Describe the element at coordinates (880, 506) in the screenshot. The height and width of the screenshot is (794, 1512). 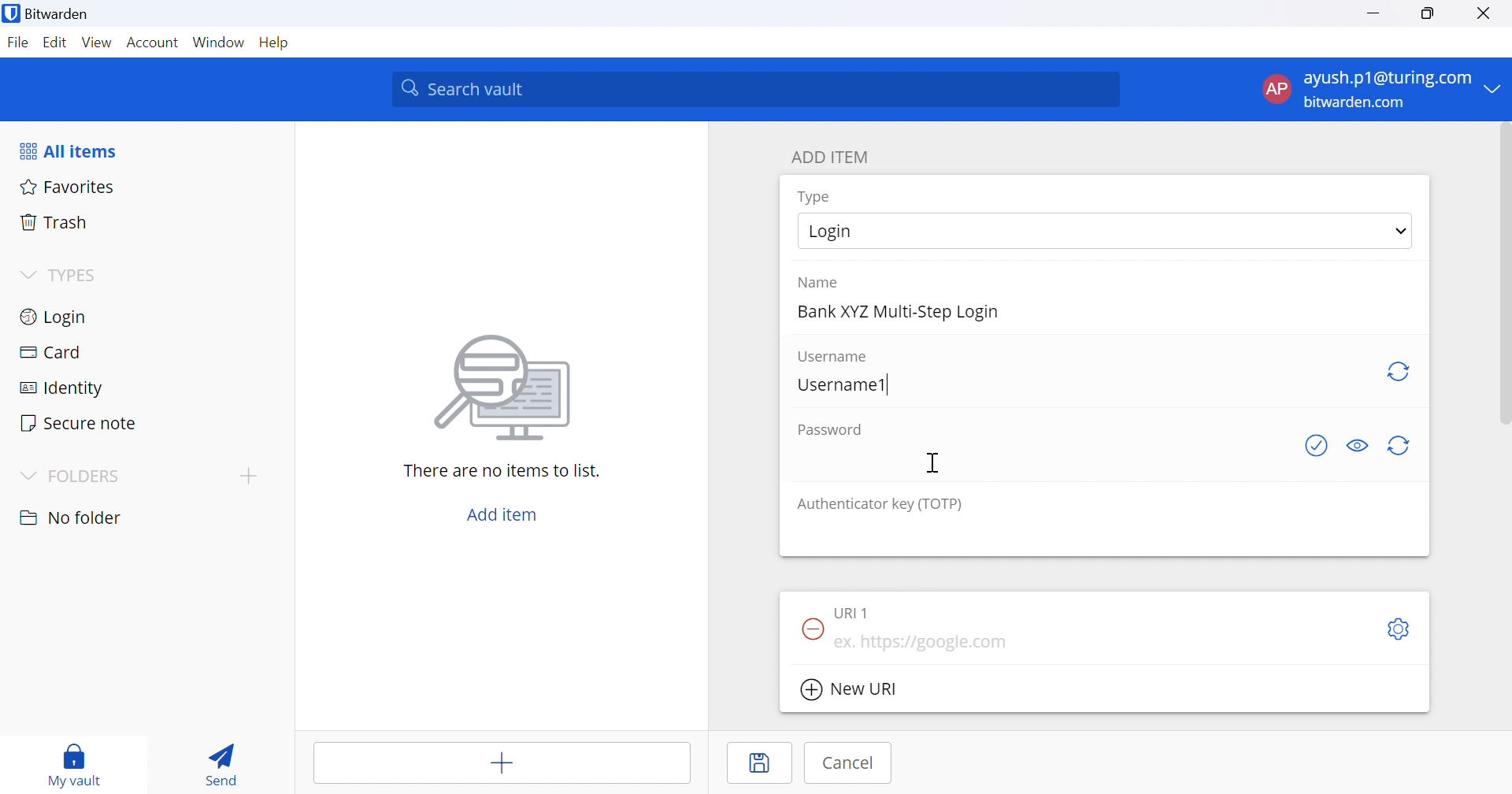
I see `Authenticator key (TOTP)` at that location.